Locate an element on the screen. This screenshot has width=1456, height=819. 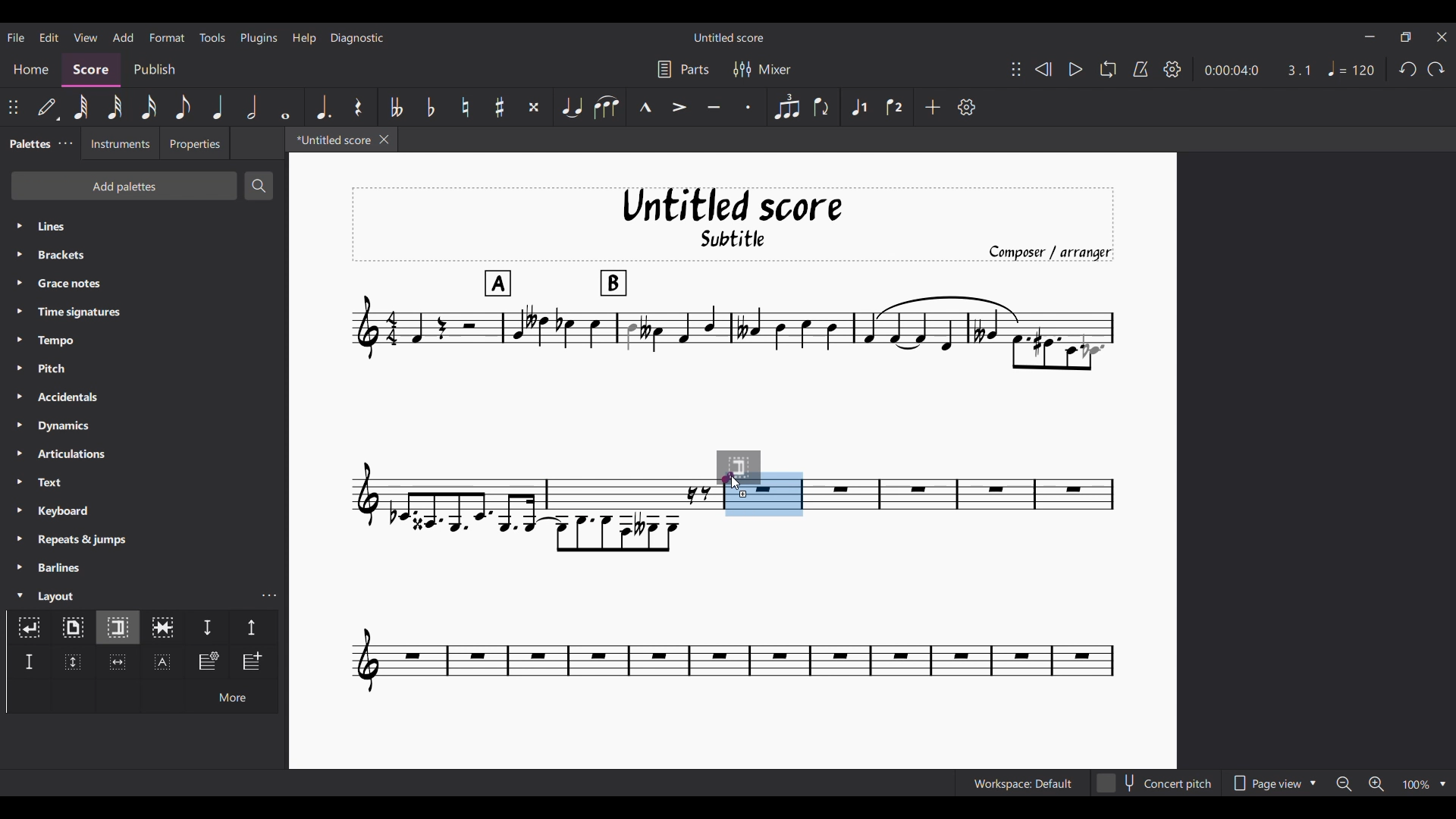
Mixer settings is located at coordinates (762, 70).